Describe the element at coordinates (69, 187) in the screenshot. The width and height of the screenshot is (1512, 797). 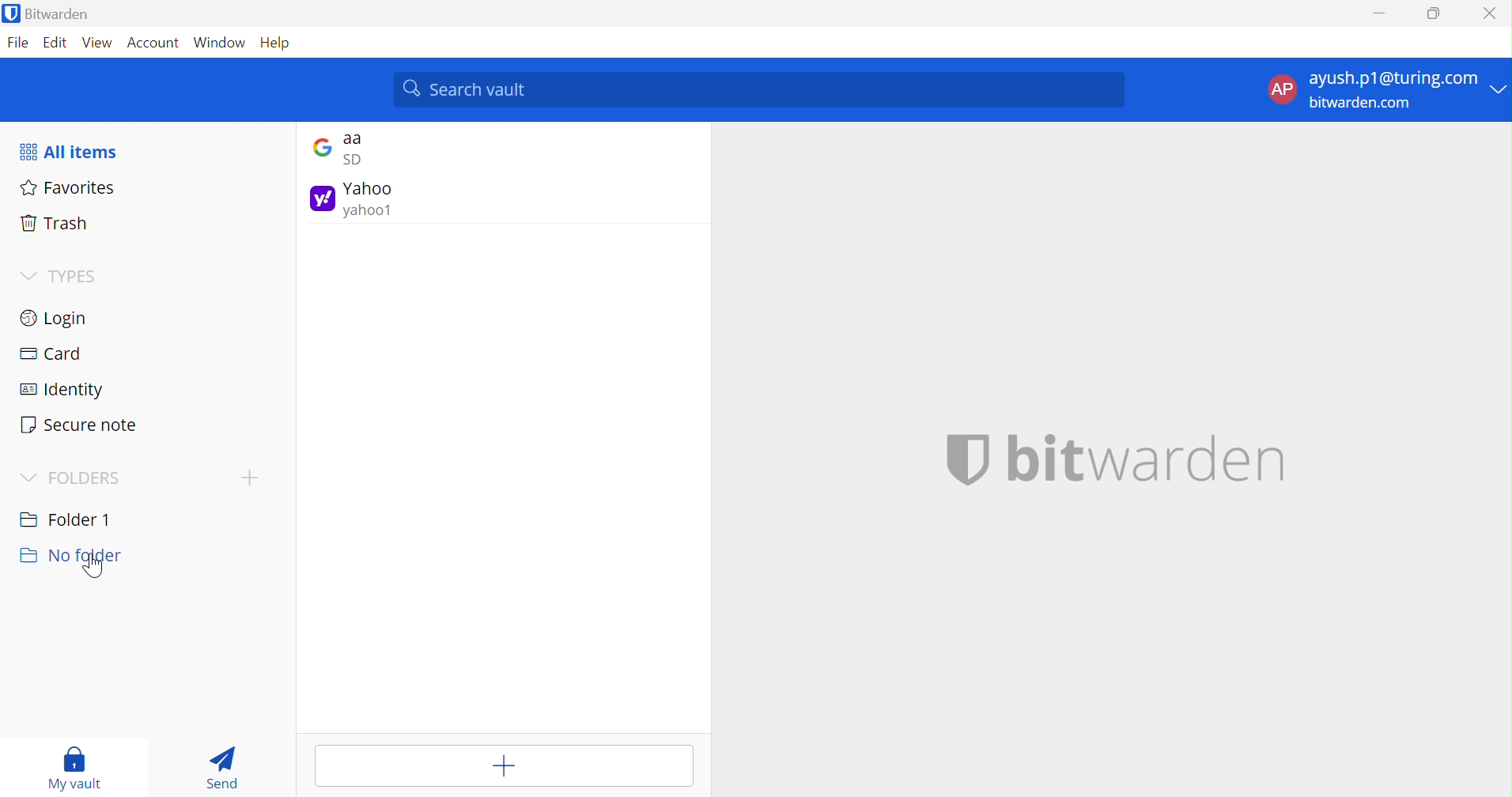
I see `Favorites` at that location.